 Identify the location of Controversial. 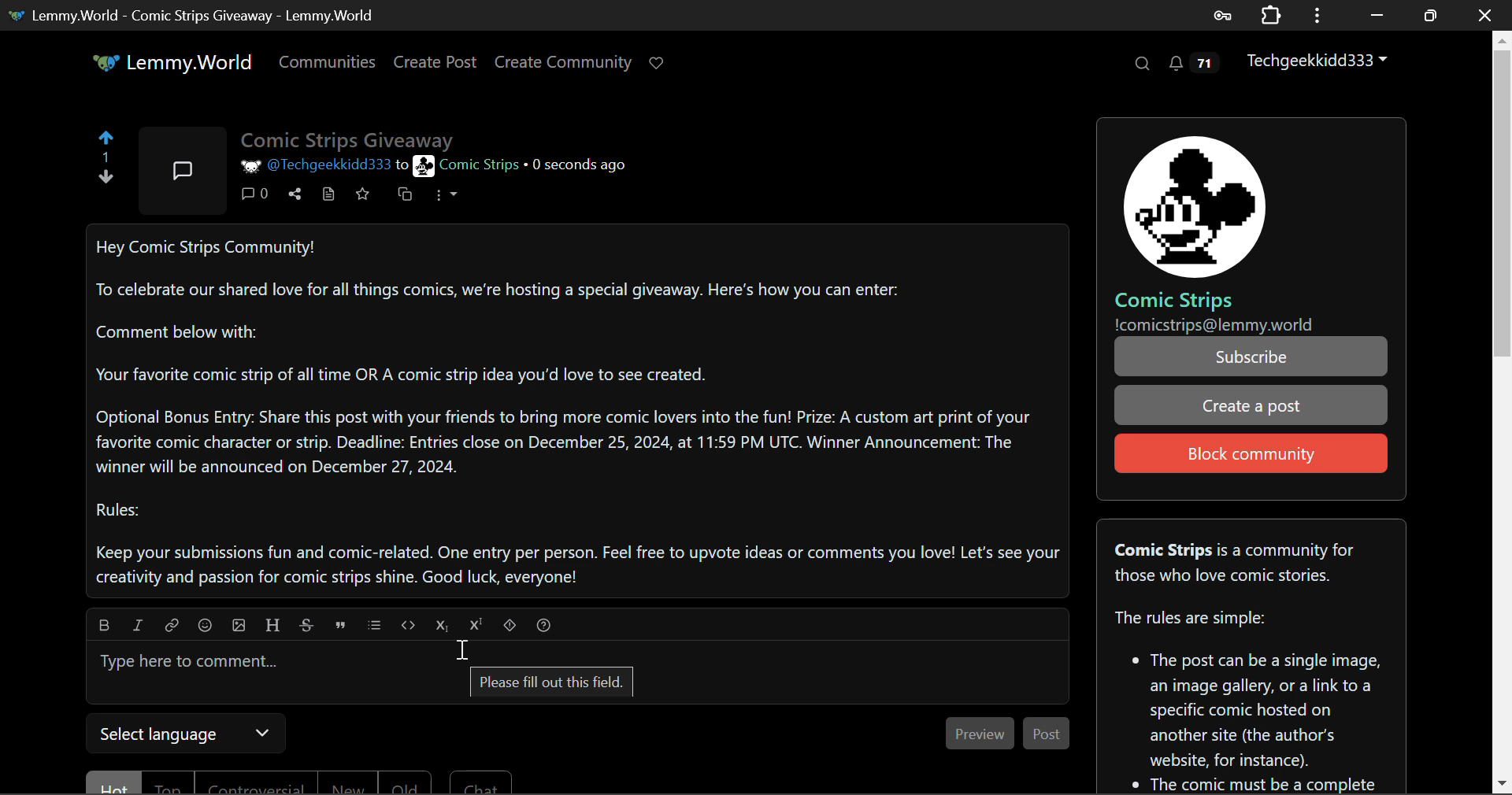
(252, 782).